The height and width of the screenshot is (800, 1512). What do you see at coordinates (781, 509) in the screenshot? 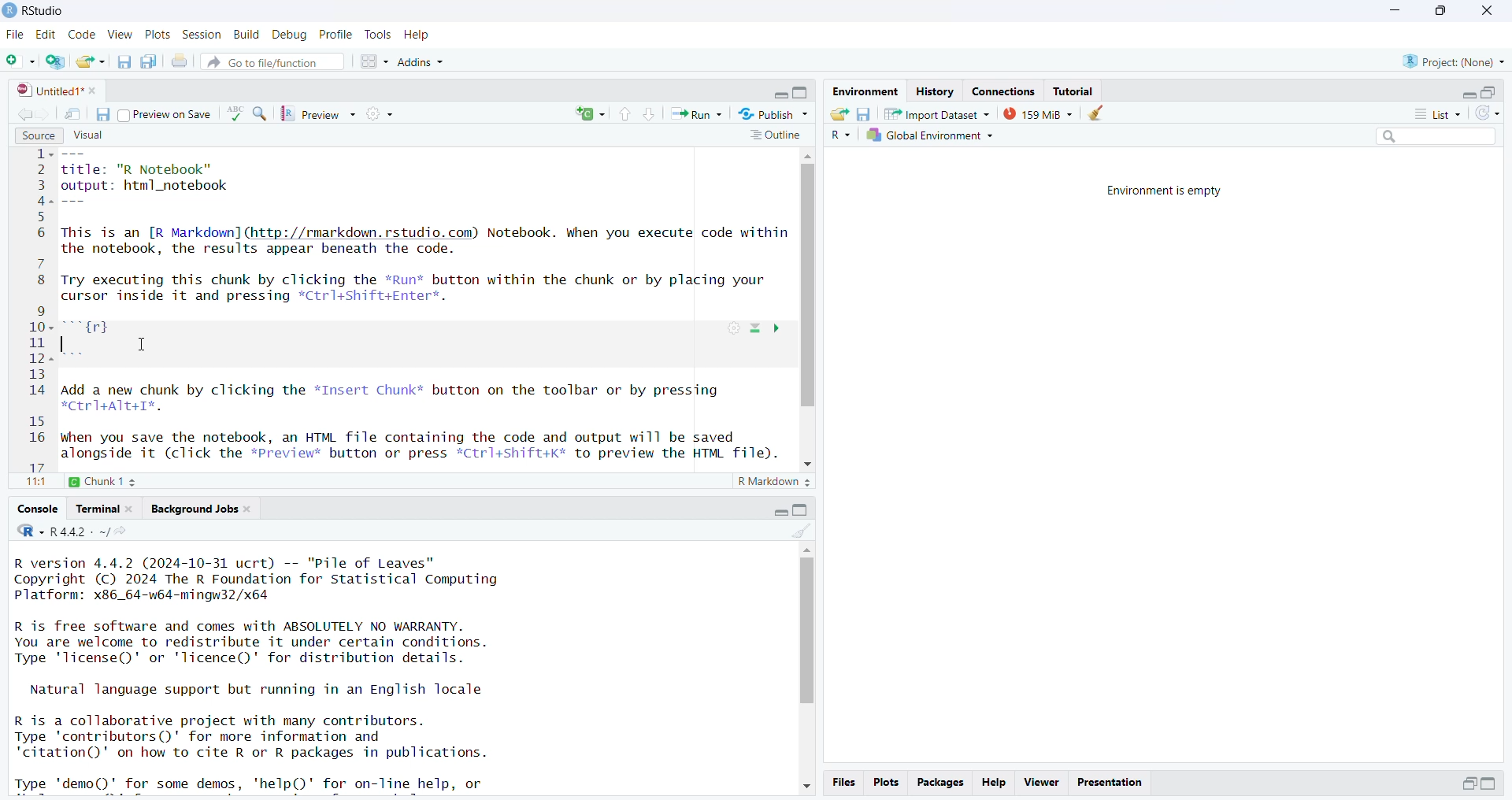
I see `expand` at bounding box center [781, 509].